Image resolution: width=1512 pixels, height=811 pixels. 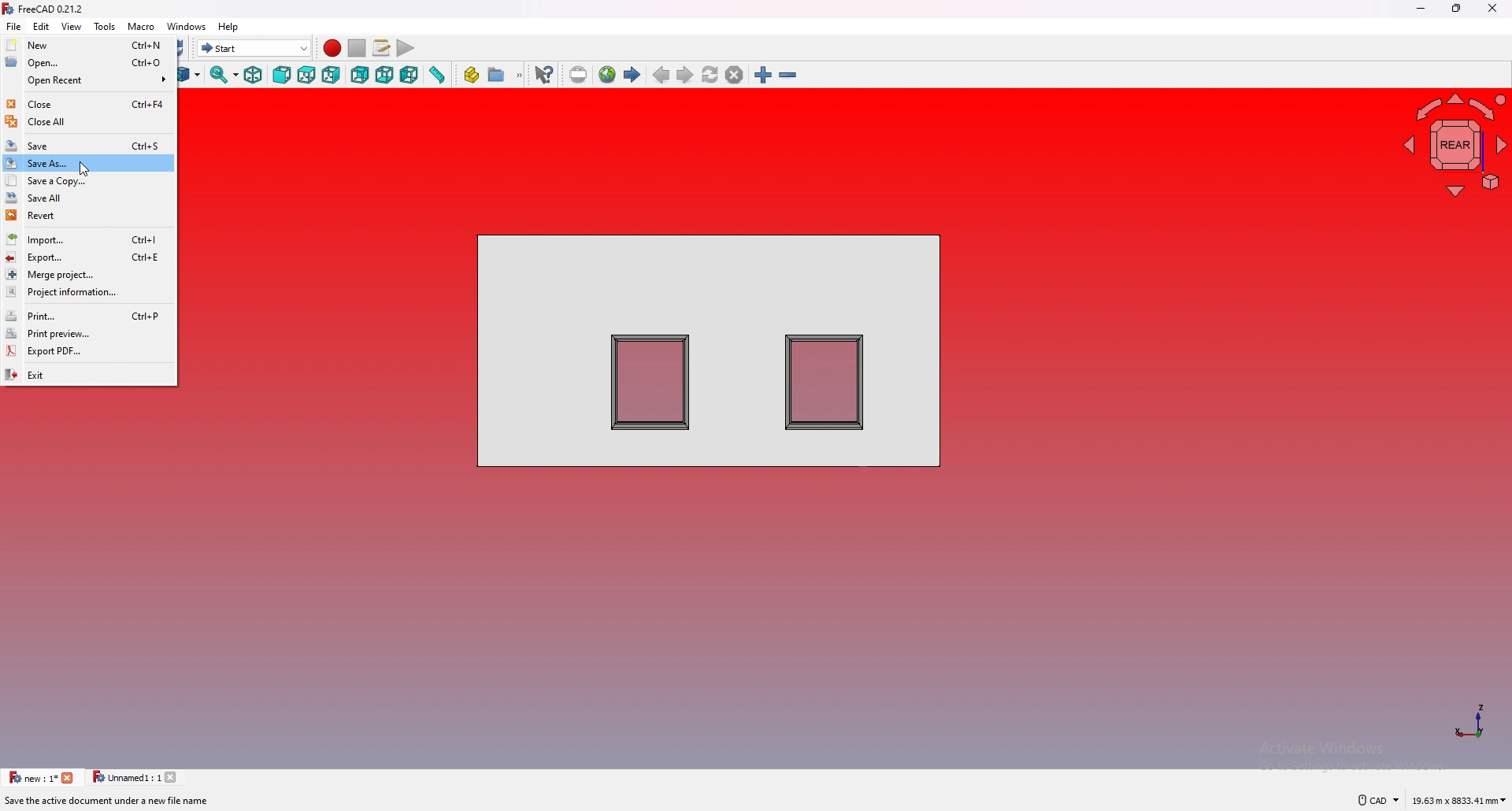 What do you see at coordinates (437, 74) in the screenshot?
I see `measure distance` at bounding box center [437, 74].